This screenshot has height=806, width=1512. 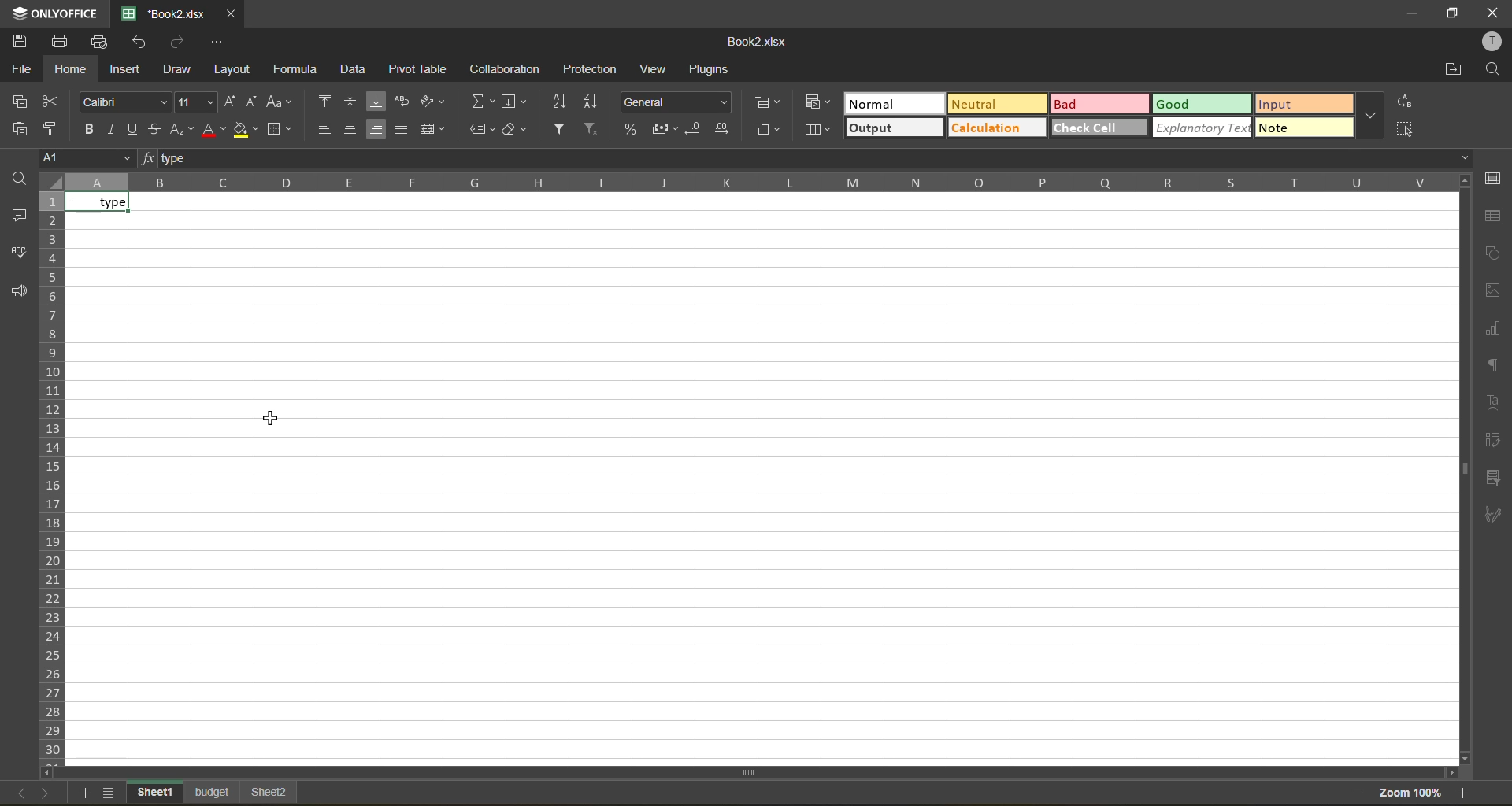 I want to click on zoom in, so click(x=1465, y=793).